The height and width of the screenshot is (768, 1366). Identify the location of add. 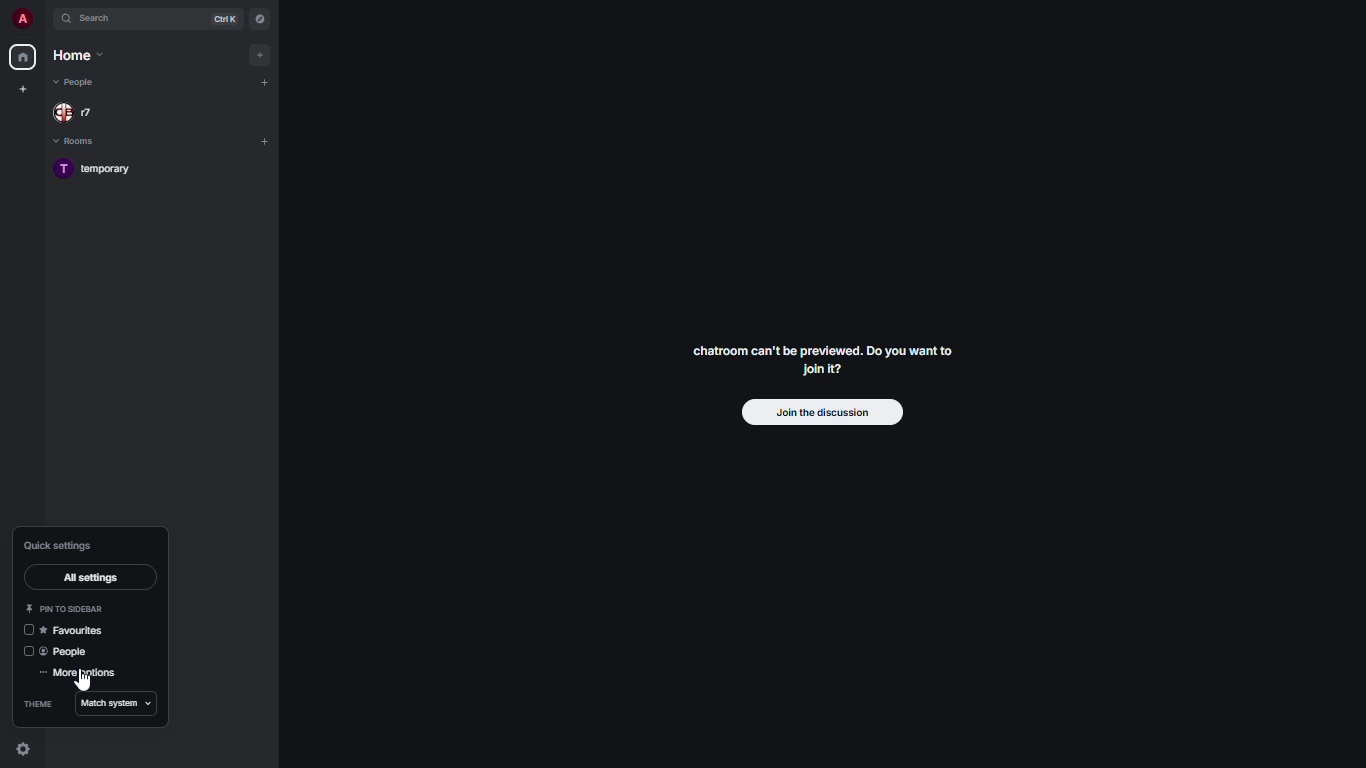
(265, 82).